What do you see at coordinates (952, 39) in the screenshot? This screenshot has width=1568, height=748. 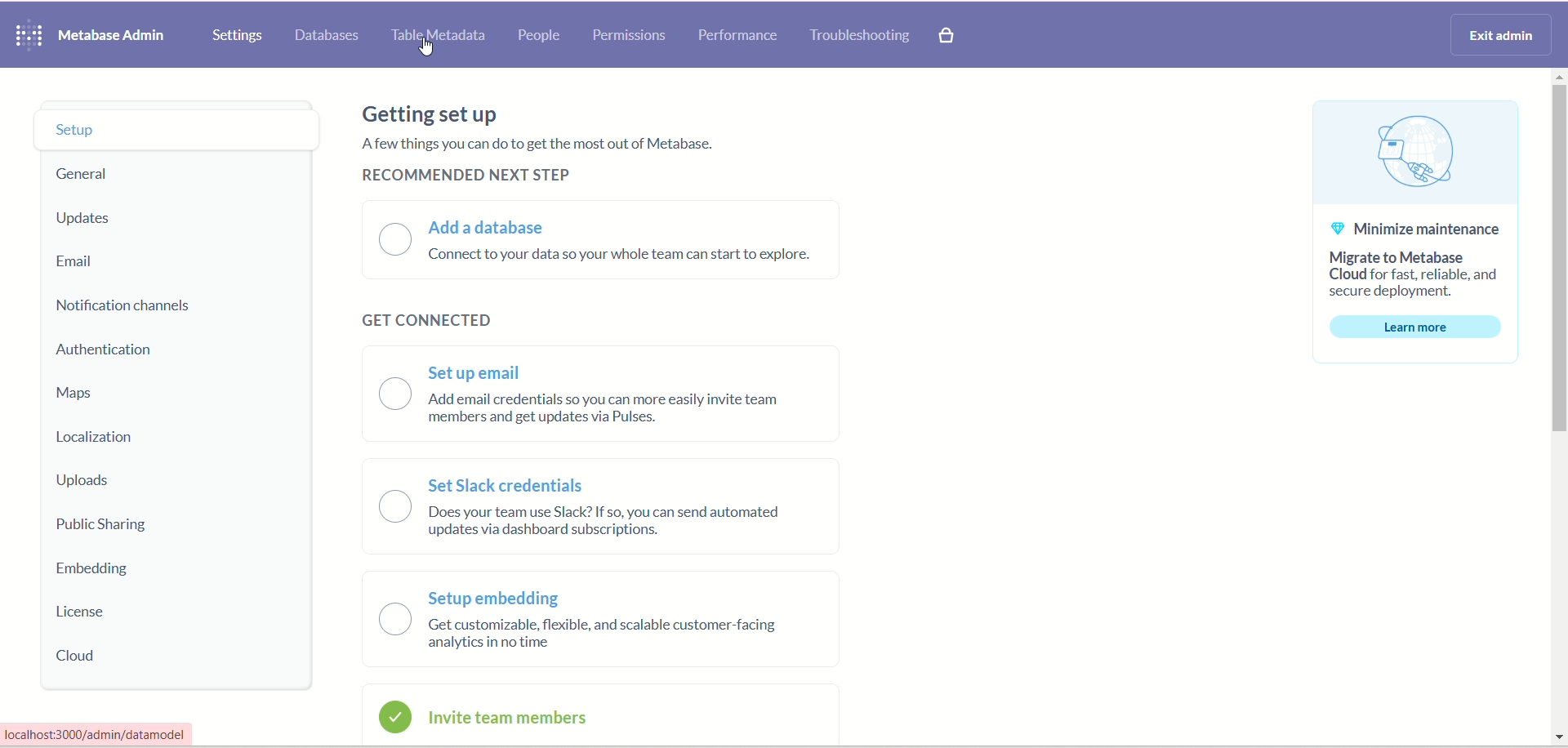 I see `paid features` at bounding box center [952, 39].